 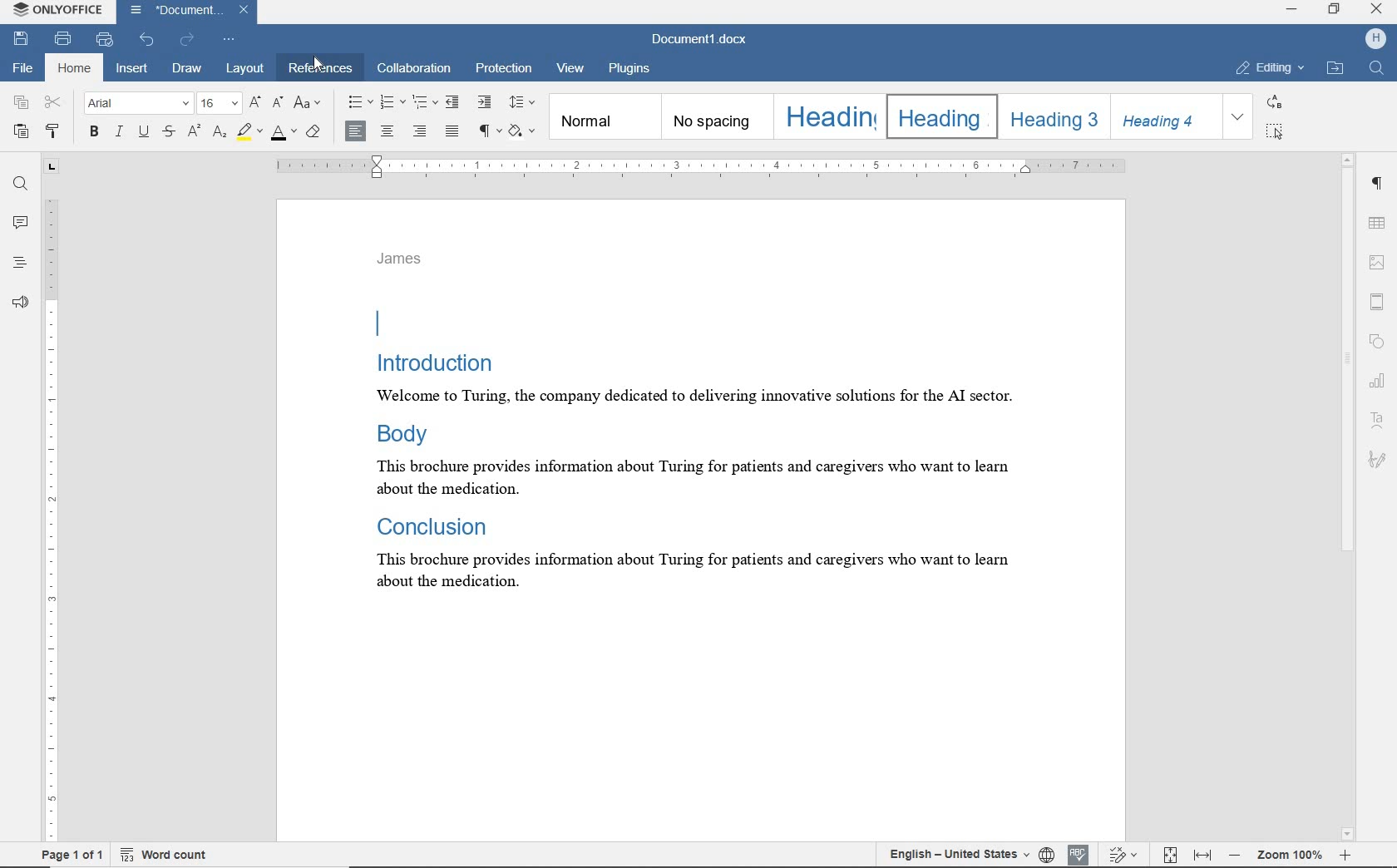 What do you see at coordinates (702, 450) in the screenshot?
I see `Introduction

Welcome to Turing, the company dedicated to delivering innovative solutions for the AI sector.
Body

This brochure provides information about Turing for patients and caregivers who want to learn
about the medication.

Conclusion

This brochure provides information about Turing for patients and caregivers who want to learn
about the medication.` at bounding box center [702, 450].